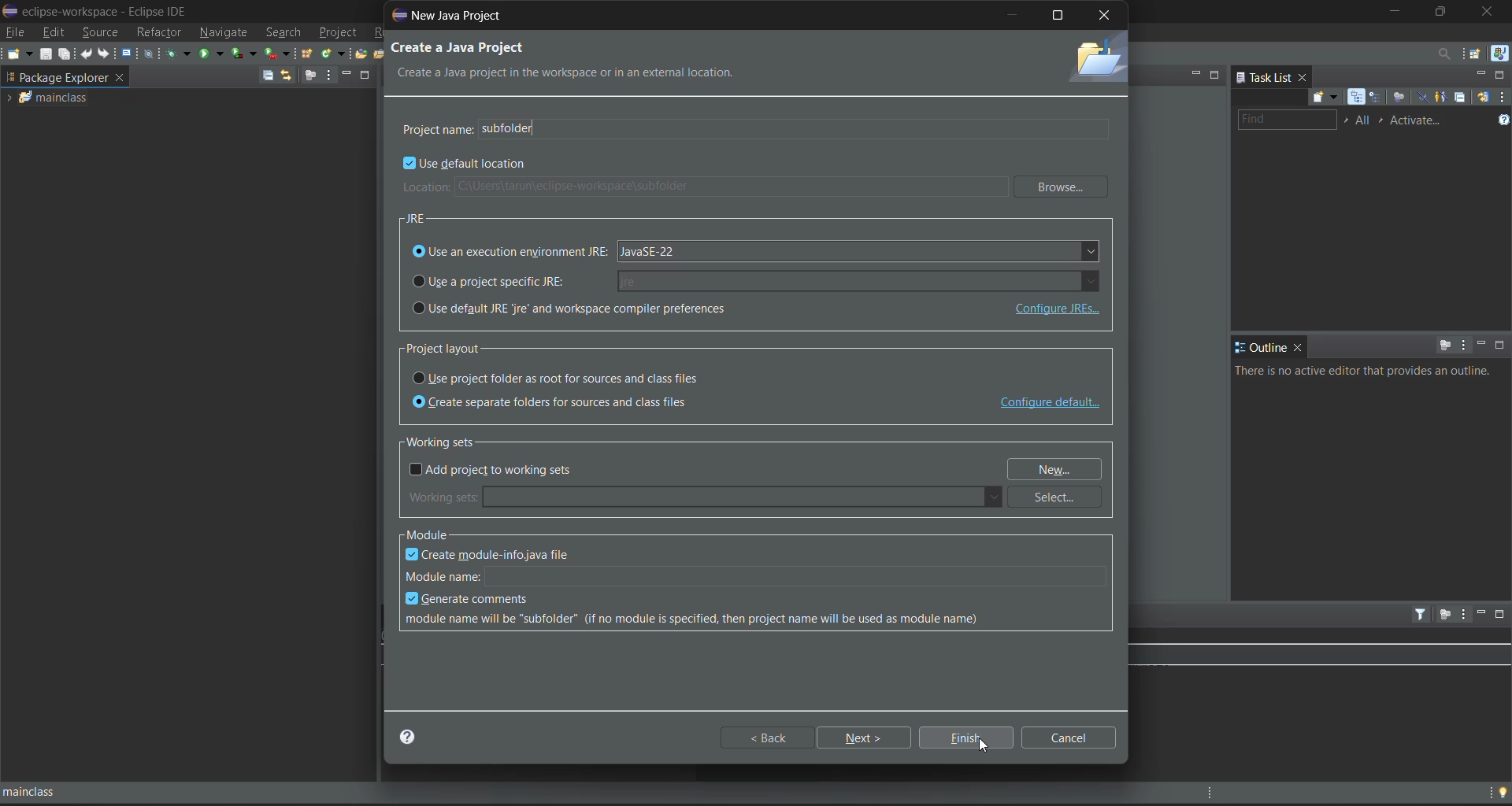  I want to click on module name, so click(759, 574).